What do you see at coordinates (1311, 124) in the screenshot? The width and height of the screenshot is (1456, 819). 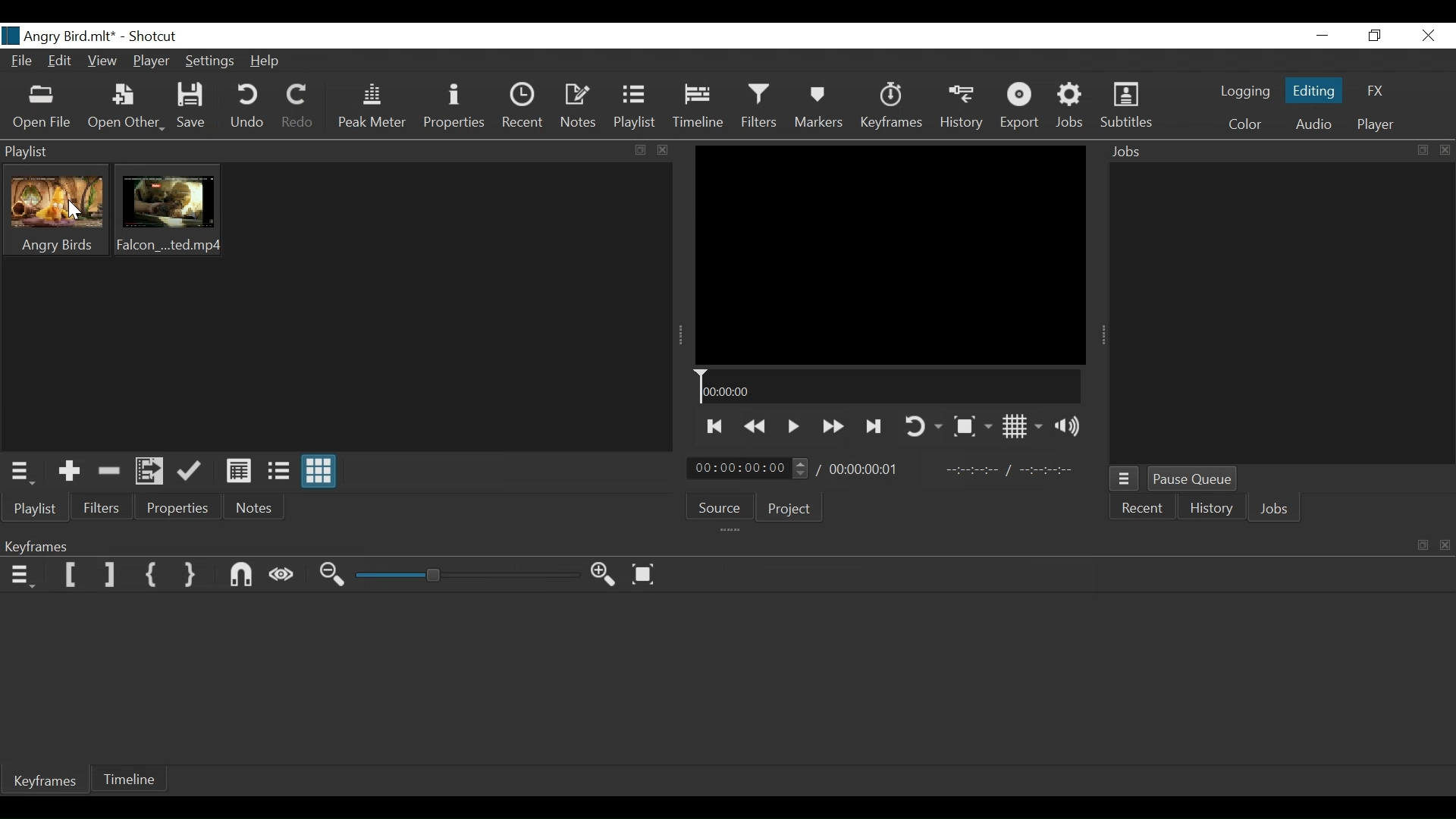 I see `Audio` at bounding box center [1311, 124].